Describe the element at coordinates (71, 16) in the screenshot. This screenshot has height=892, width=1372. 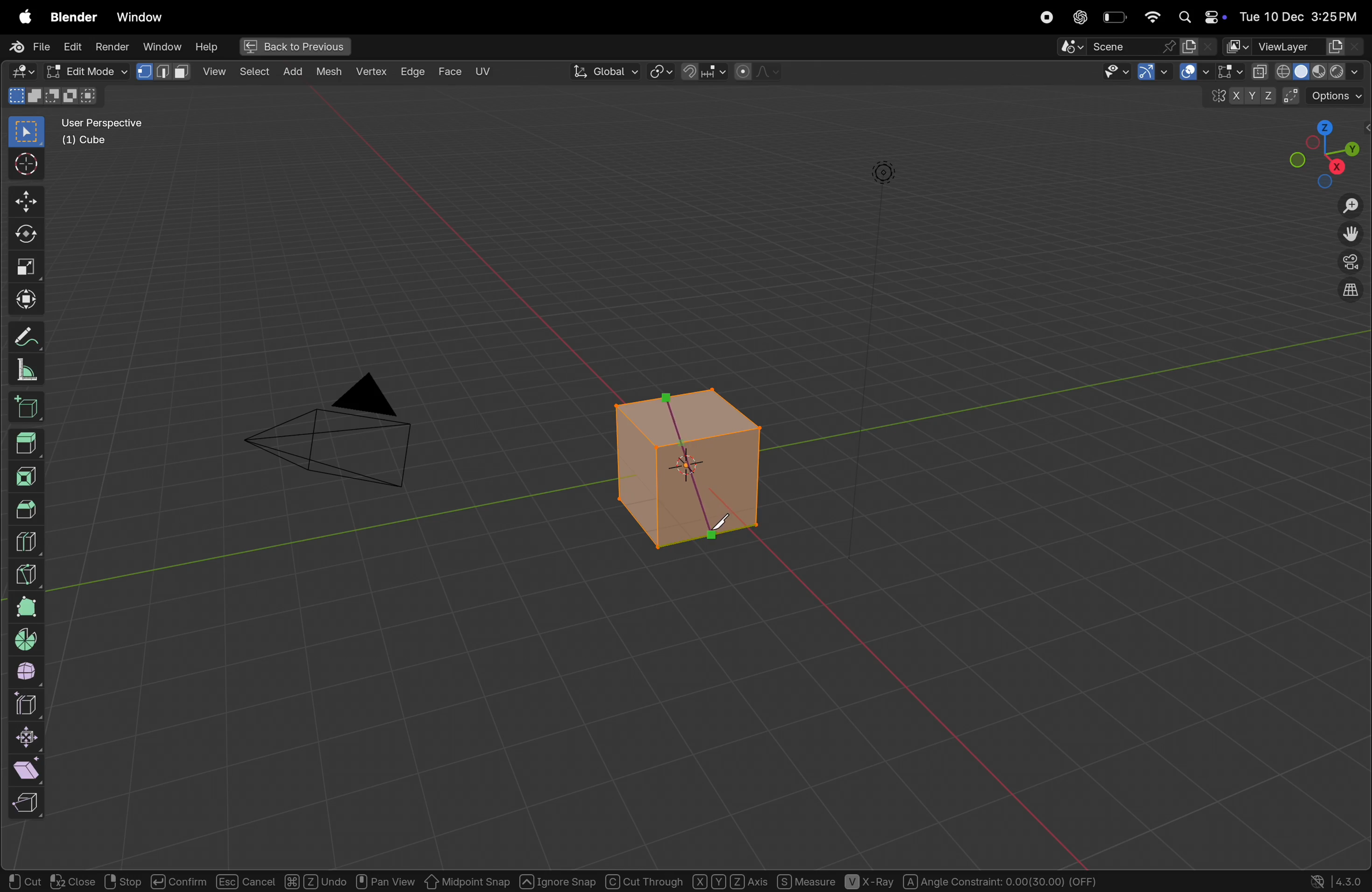
I see `Blender` at that location.